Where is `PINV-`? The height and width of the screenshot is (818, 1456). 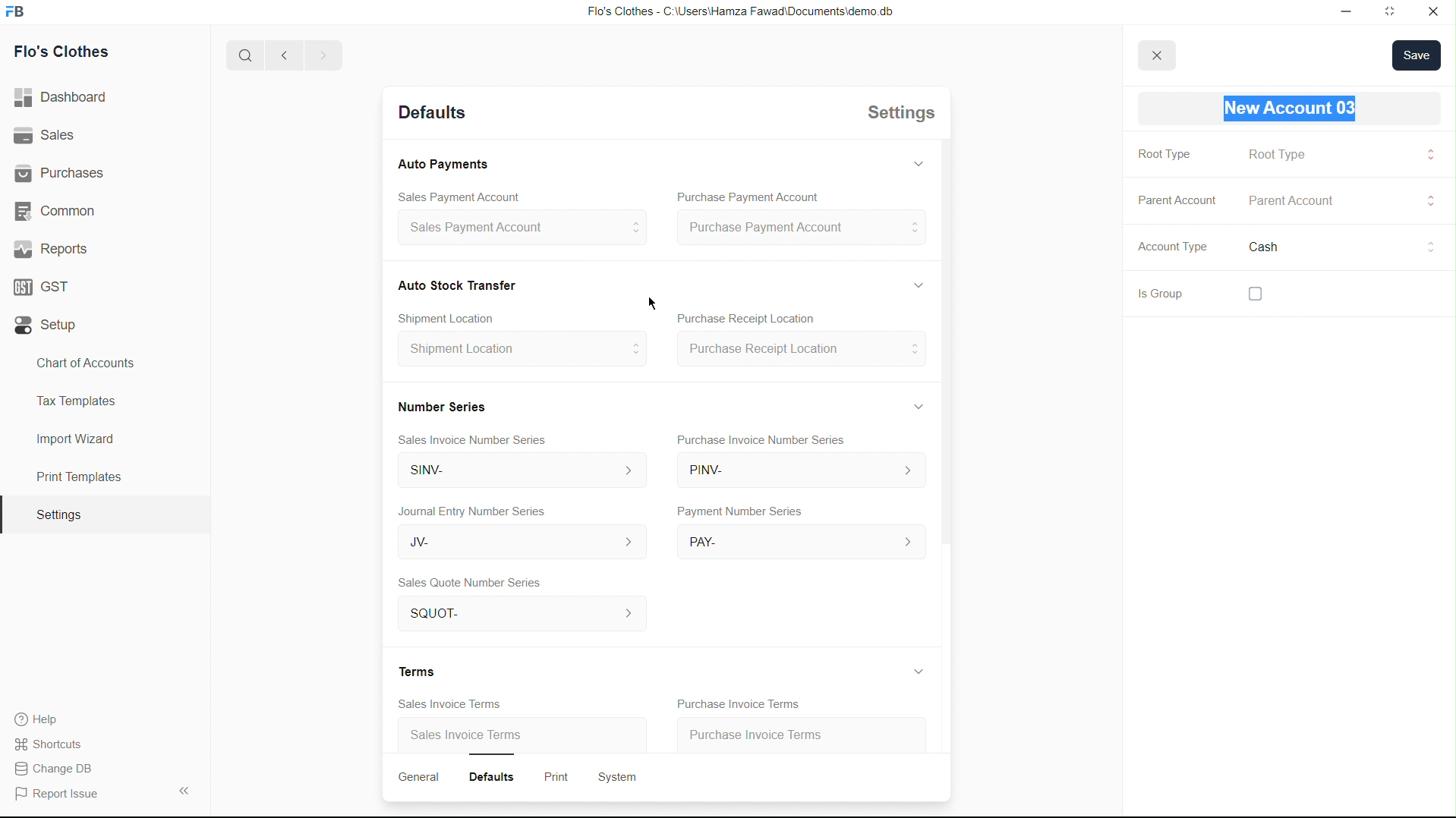
PINV- is located at coordinates (799, 473).